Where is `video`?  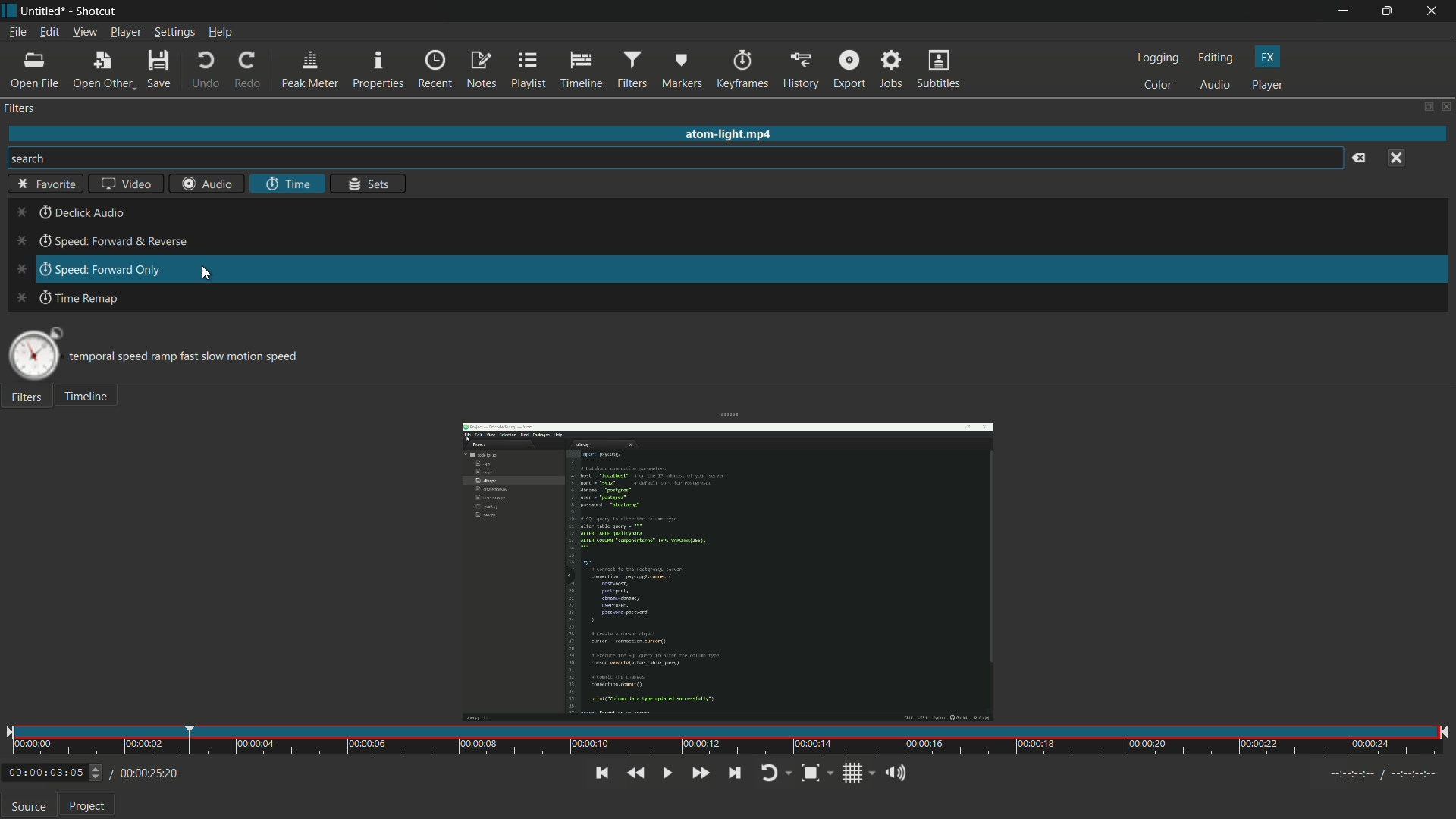
video is located at coordinates (125, 184).